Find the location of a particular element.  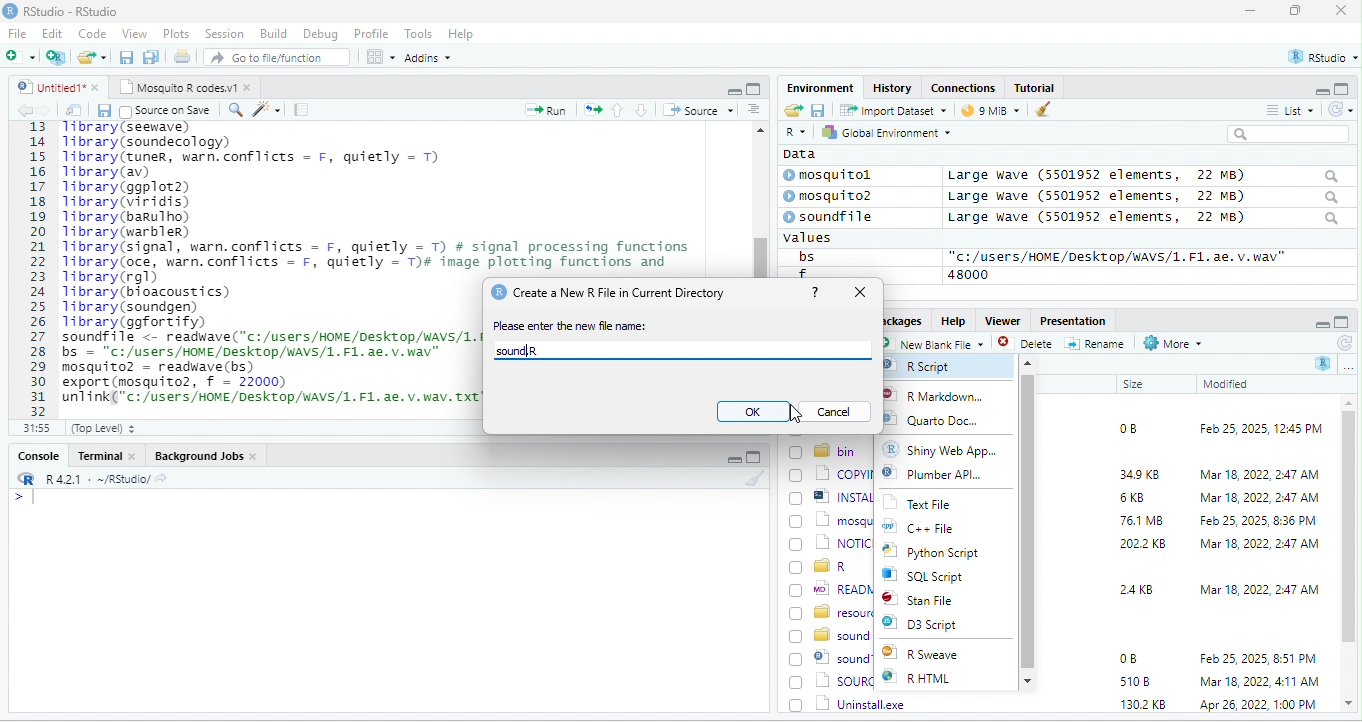

# import Dataset is located at coordinates (891, 109).